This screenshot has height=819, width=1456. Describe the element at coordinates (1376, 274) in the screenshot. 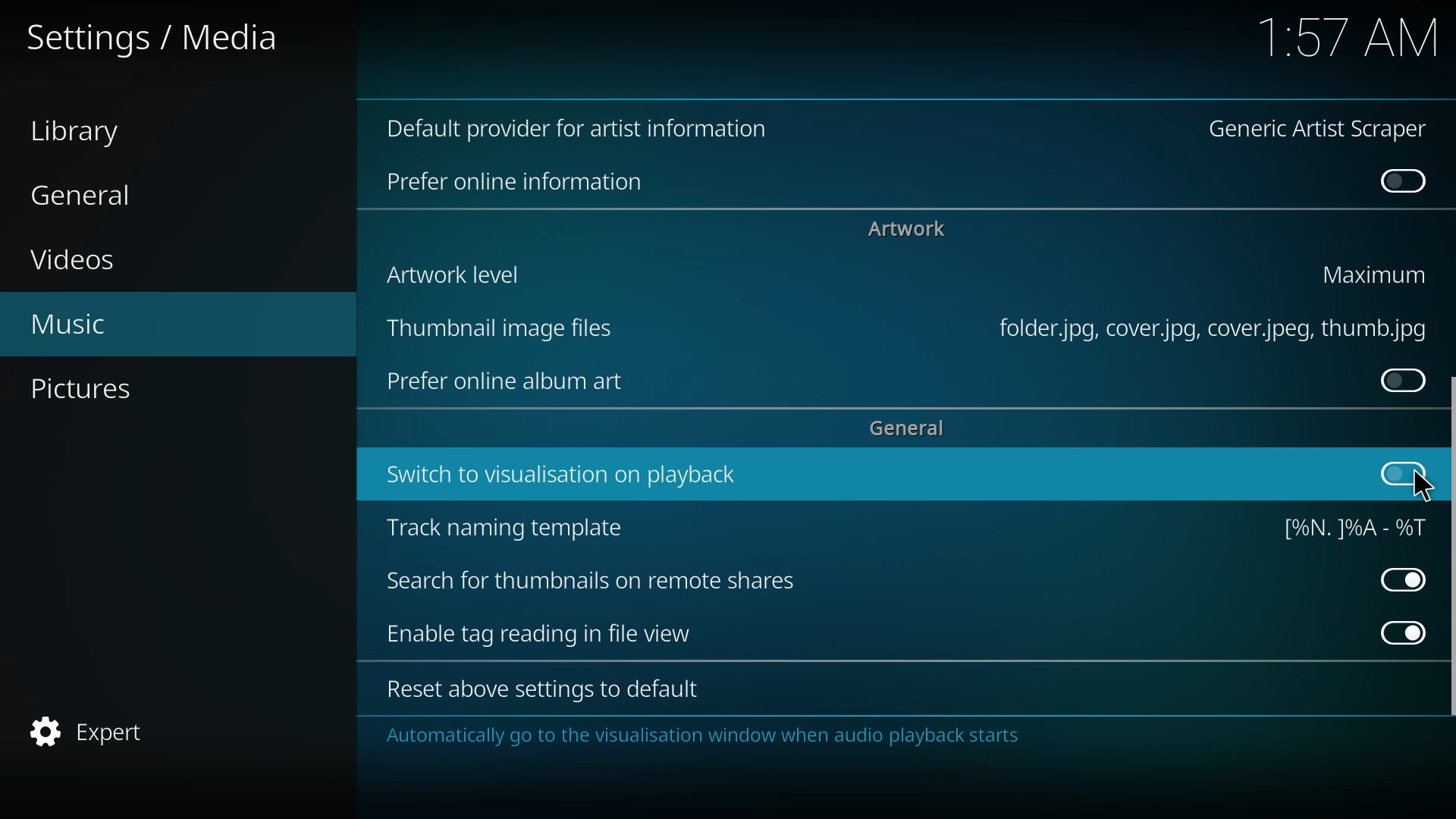

I see `maximum` at that location.